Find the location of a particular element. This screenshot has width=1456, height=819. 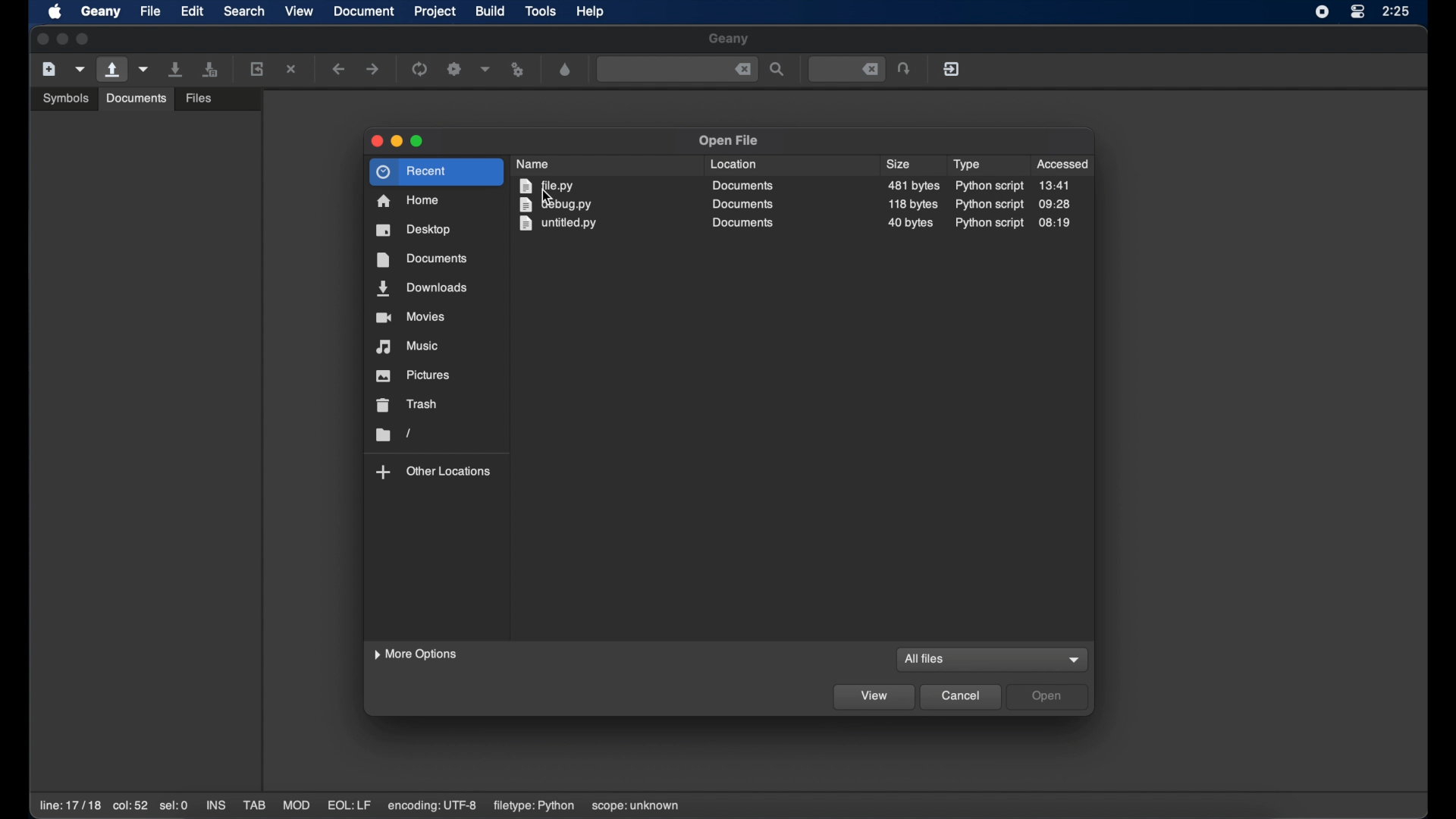

documents is located at coordinates (745, 186).